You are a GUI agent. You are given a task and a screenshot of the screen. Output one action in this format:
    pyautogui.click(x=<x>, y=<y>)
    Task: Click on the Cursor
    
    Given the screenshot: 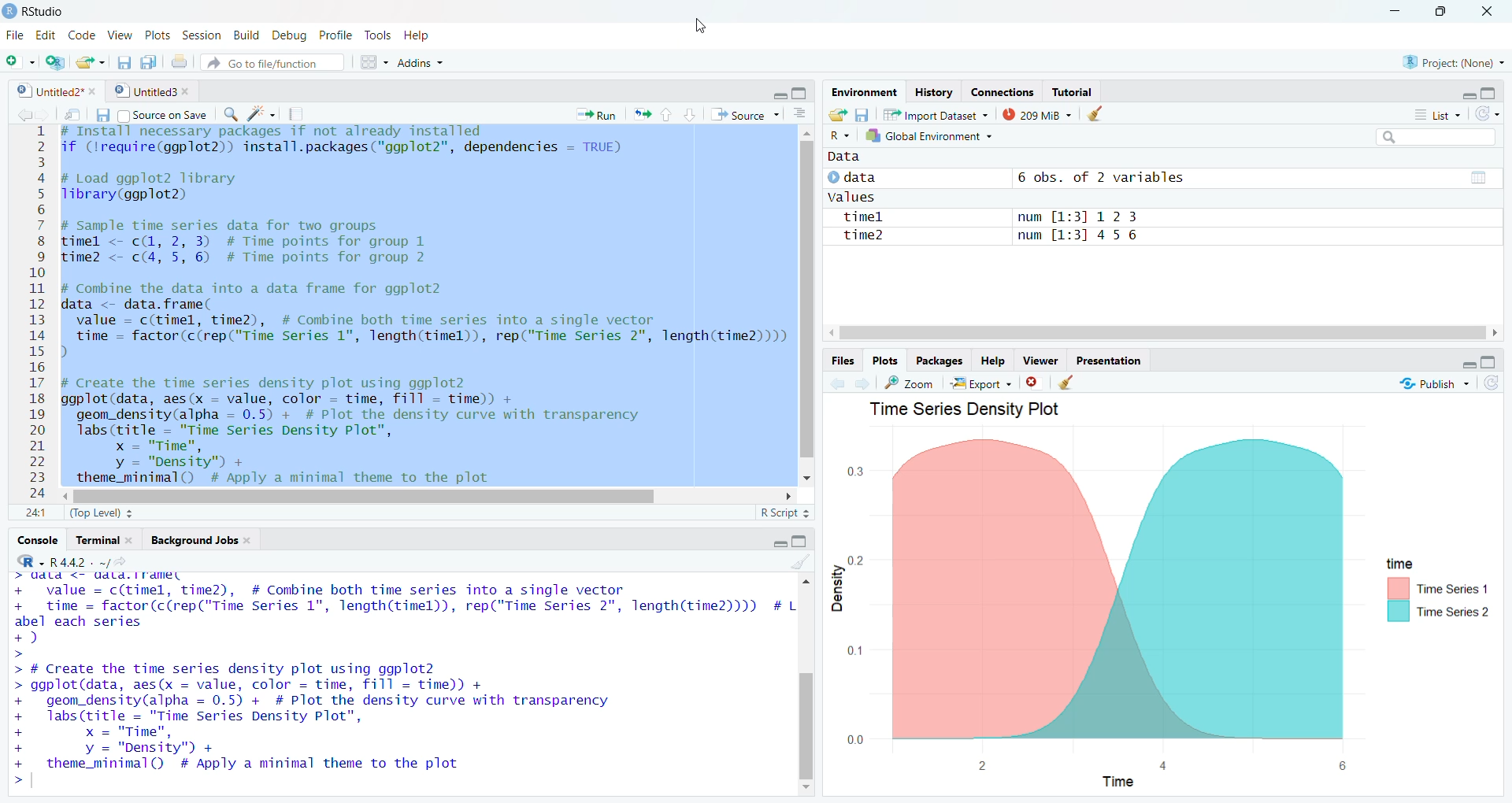 What is the action you would take?
    pyautogui.click(x=278, y=303)
    